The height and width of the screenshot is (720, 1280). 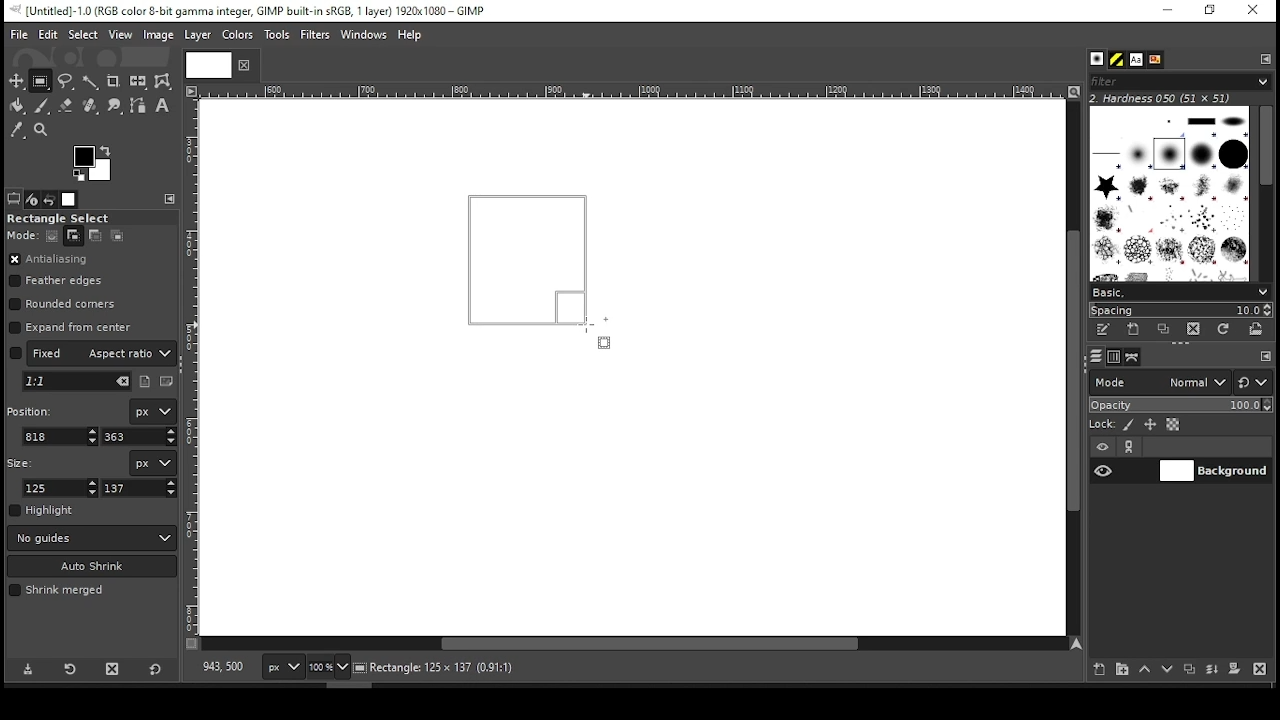 What do you see at coordinates (51, 200) in the screenshot?
I see `undo history` at bounding box center [51, 200].